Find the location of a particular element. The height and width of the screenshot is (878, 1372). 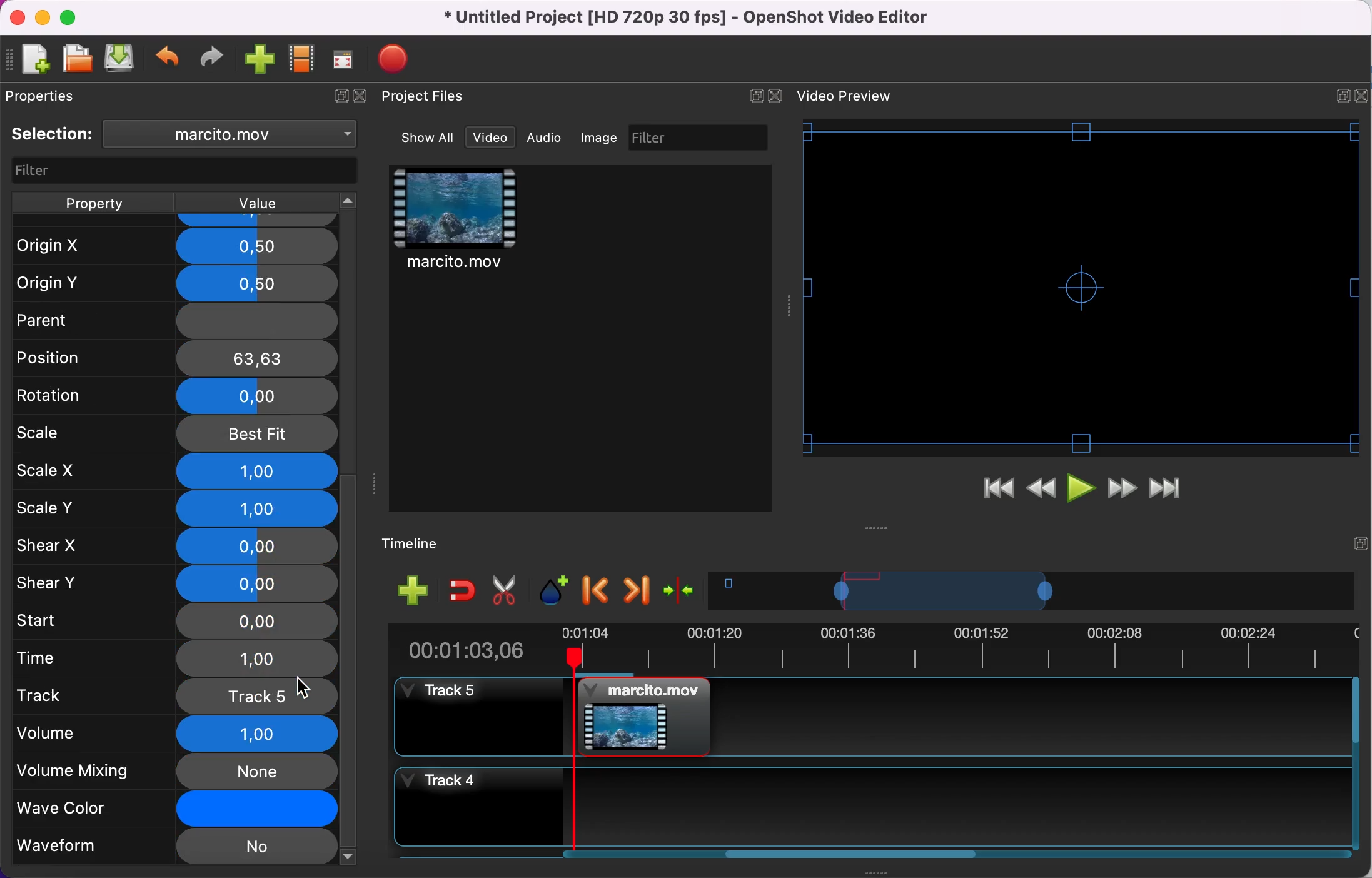

wave color is located at coordinates (176, 810).